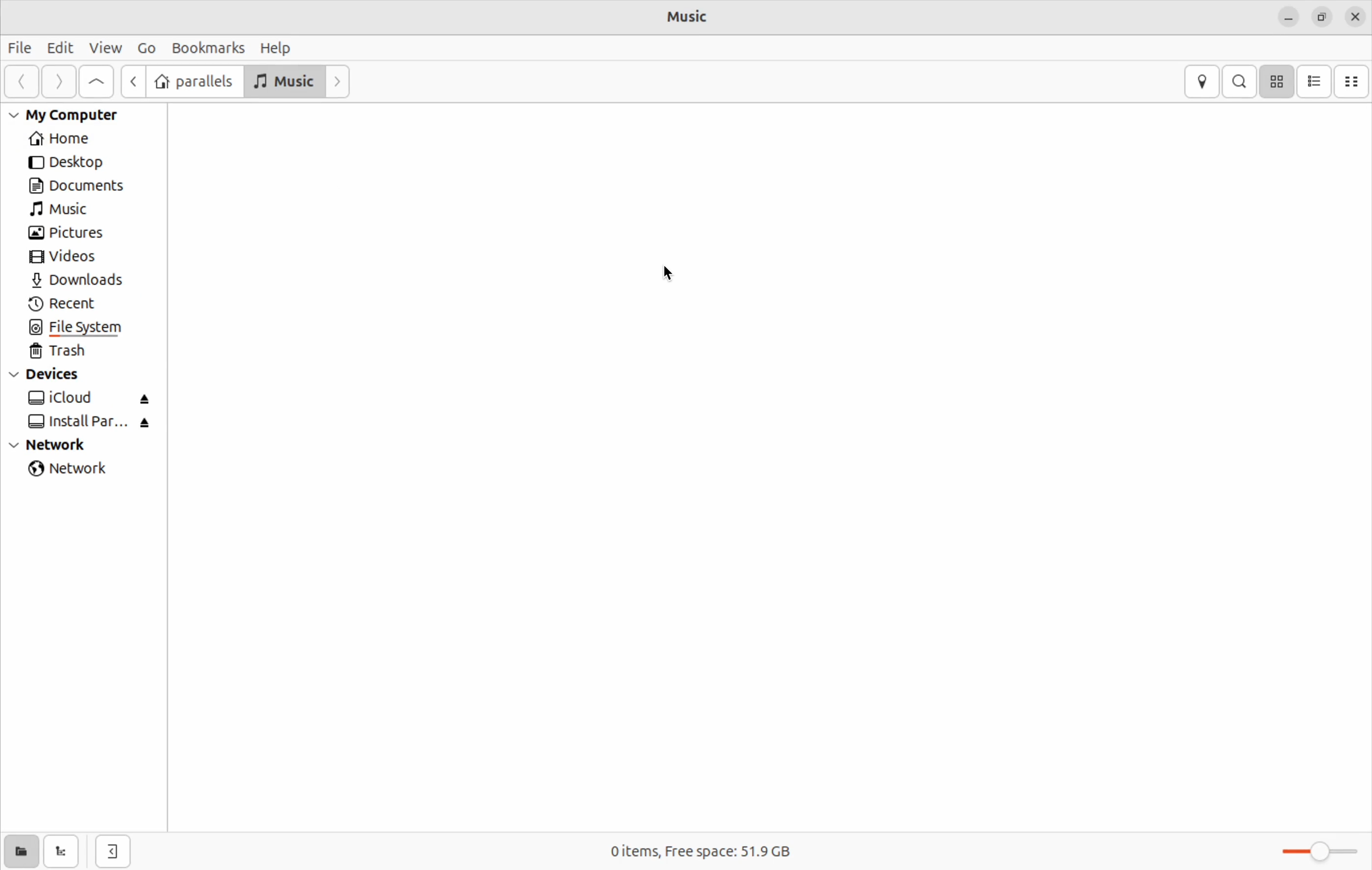 Image resolution: width=1372 pixels, height=870 pixels. What do you see at coordinates (209, 47) in the screenshot?
I see `Book marks` at bounding box center [209, 47].